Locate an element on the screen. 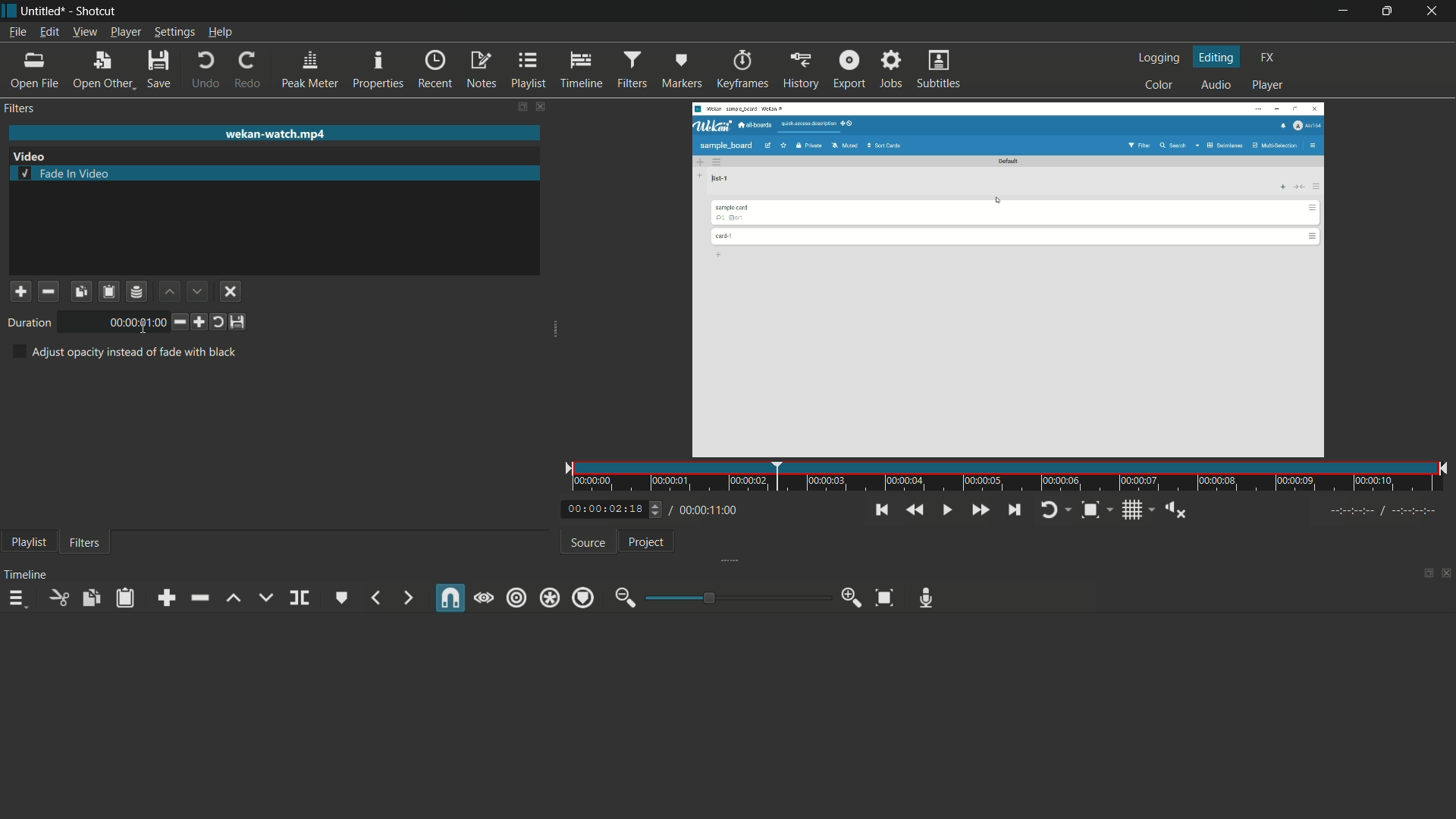  save filter set is located at coordinates (138, 291).